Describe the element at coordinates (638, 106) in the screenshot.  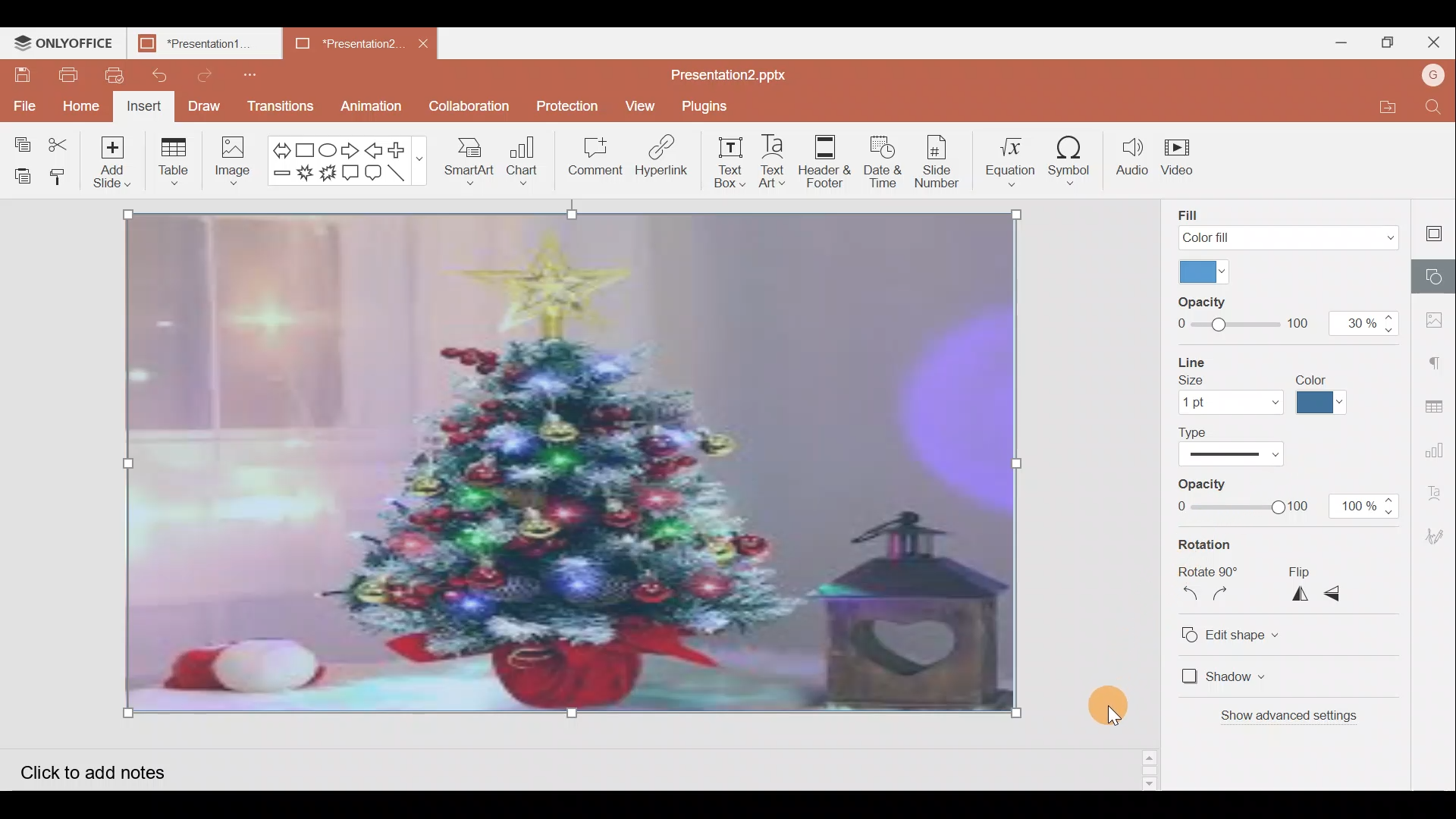
I see `View` at that location.